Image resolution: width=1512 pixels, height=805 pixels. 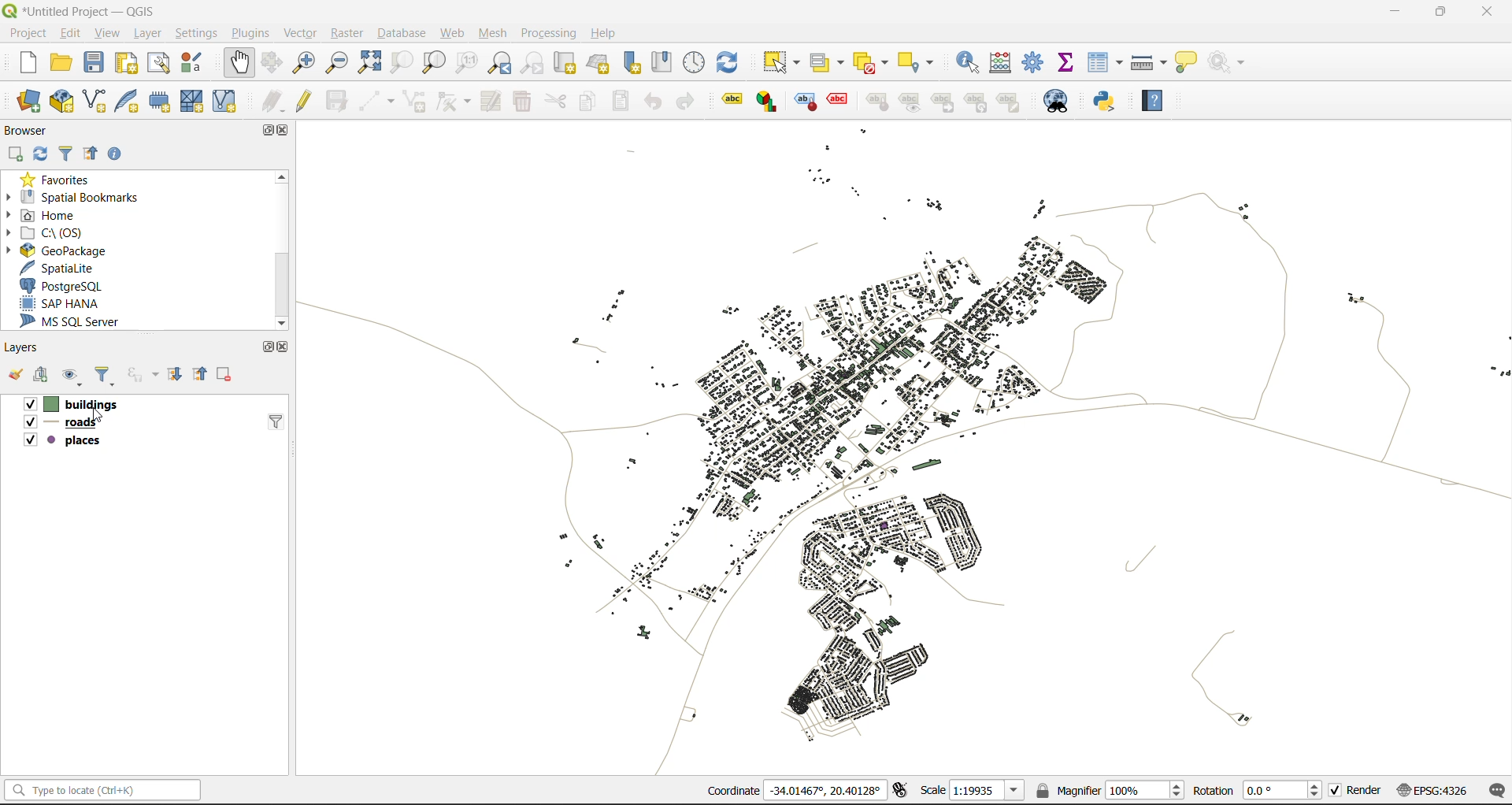 What do you see at coordinates (79, 303) in the screenshot?
I see `sap hana` at bounding box center [79, 303].